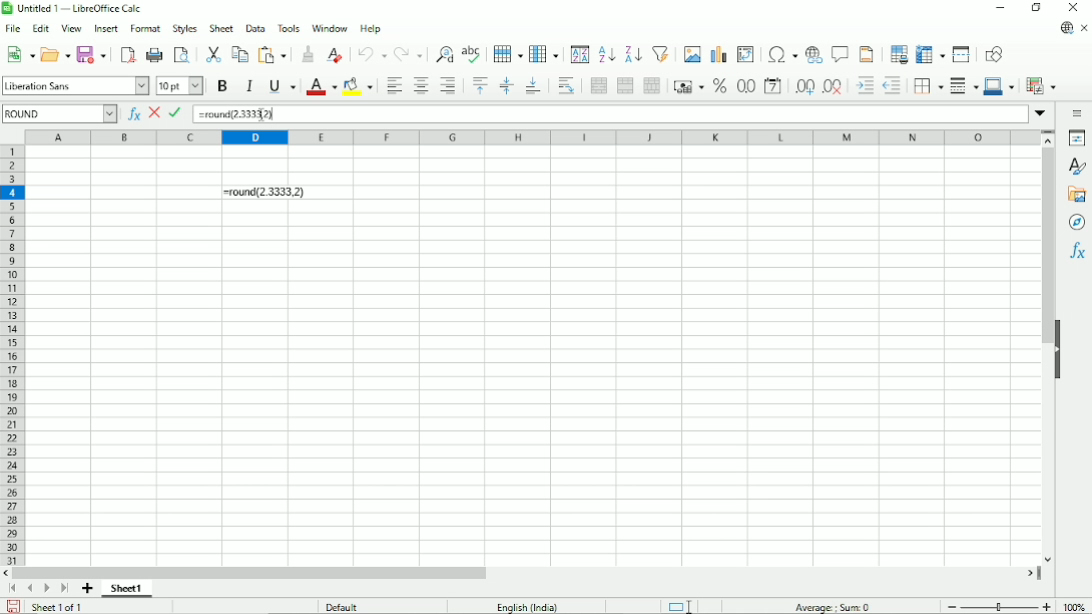 The image size is (1092, 614). I want to click on Borders, so click(930, 87).